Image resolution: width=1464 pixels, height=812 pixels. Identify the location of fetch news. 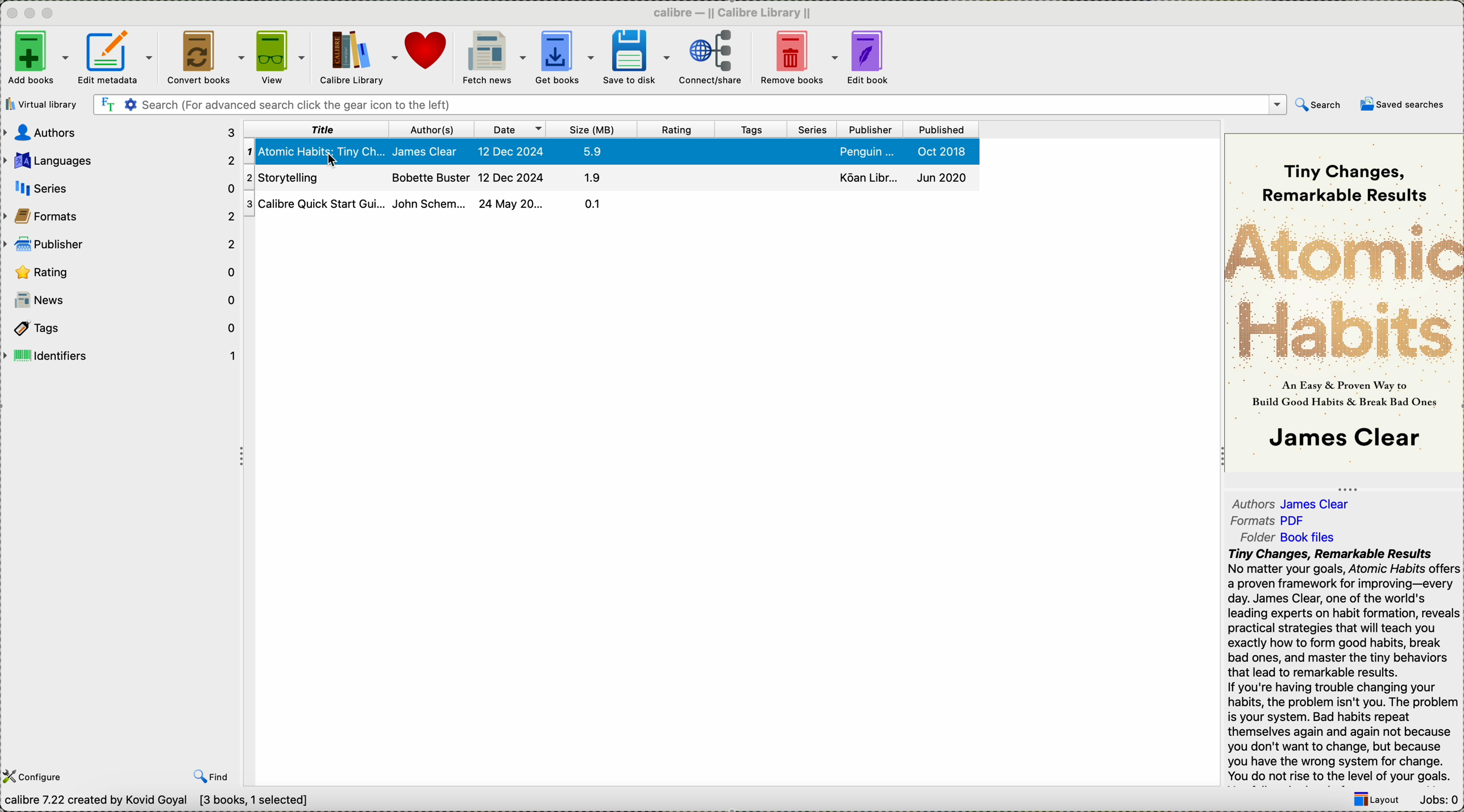
(492, 58).